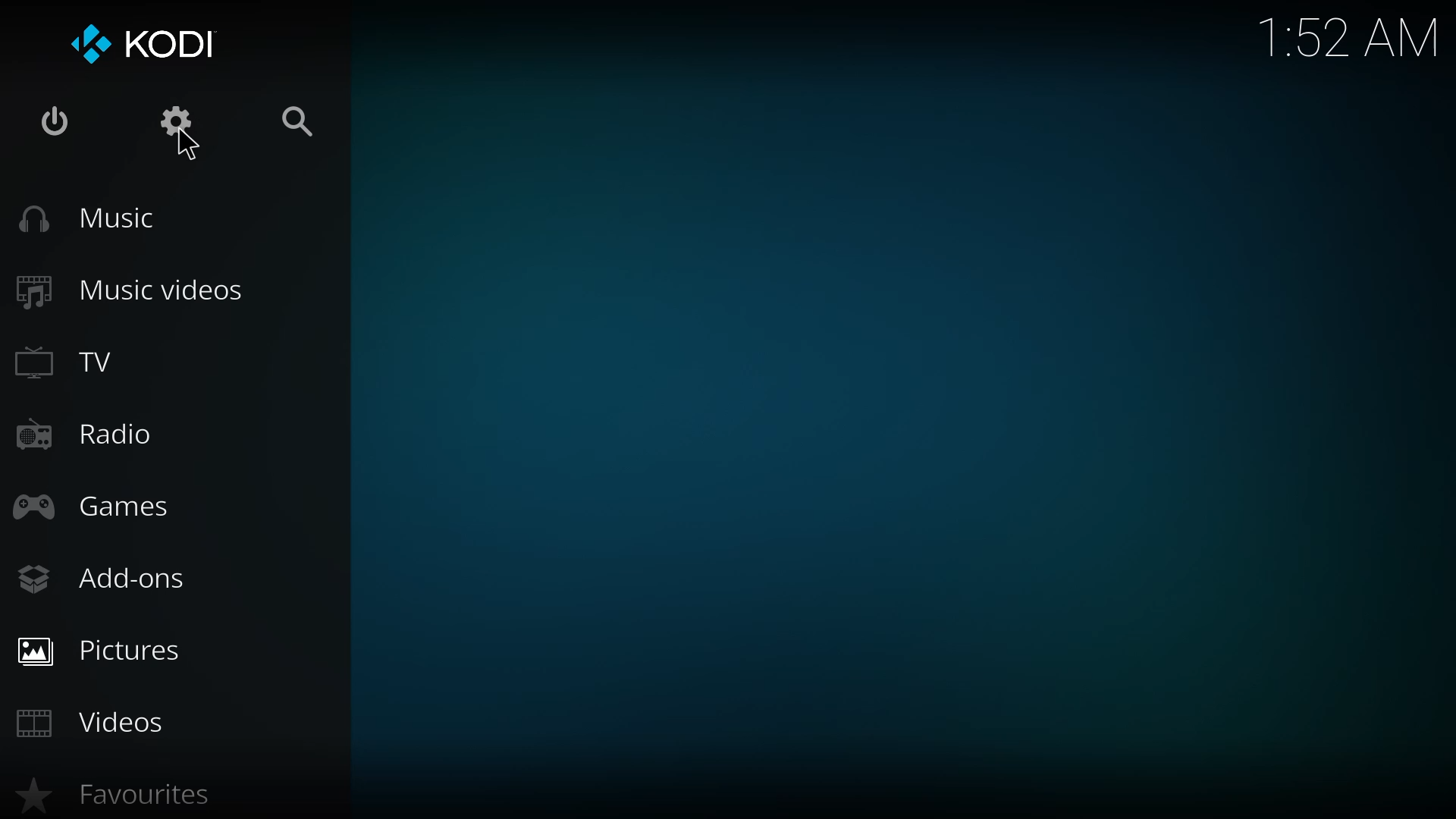 The image size is (1456, 819). I want to click on tv, so click(87, 362).